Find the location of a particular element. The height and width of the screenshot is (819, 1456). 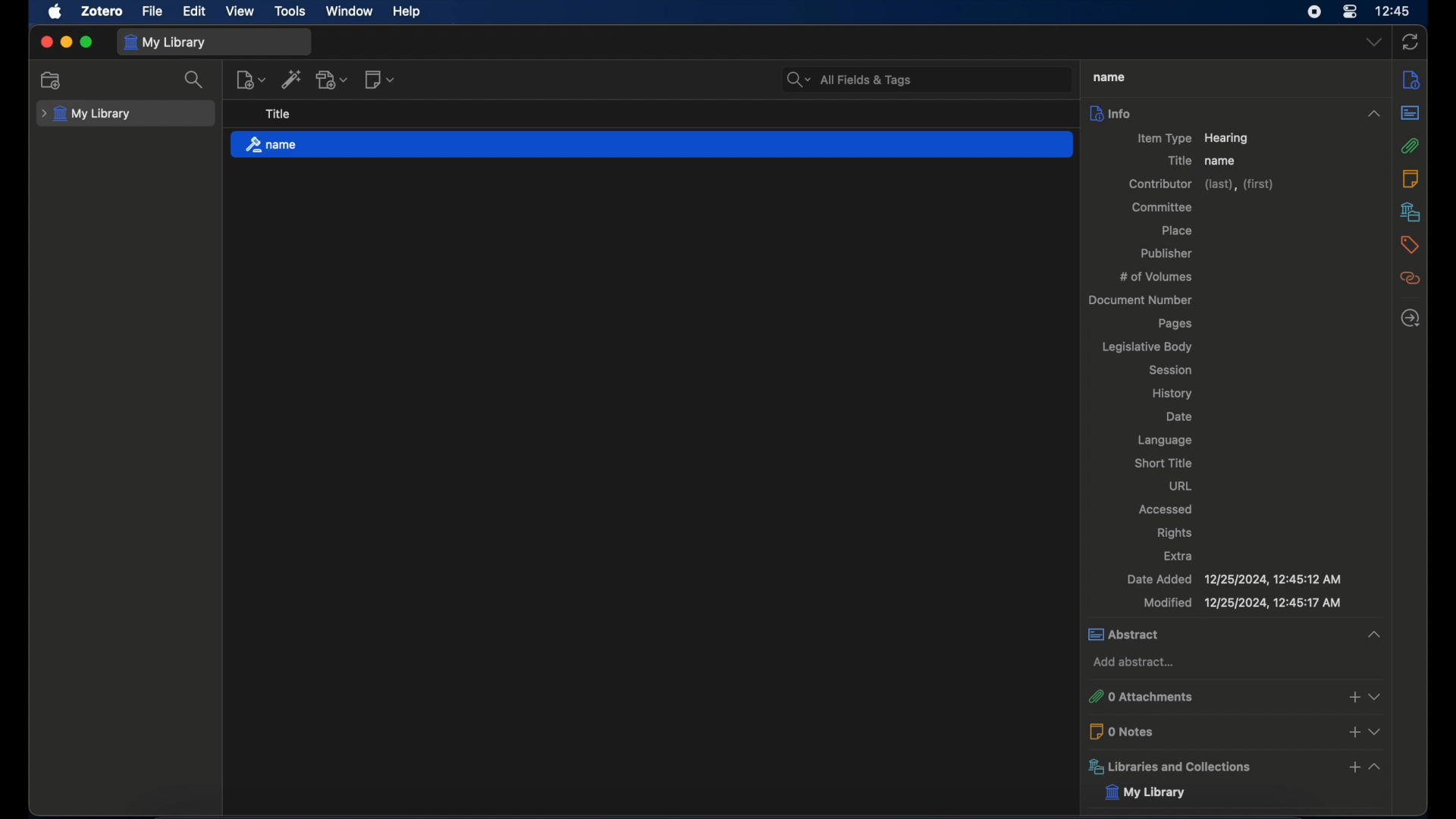

date is located at coordinates (1180, 416).